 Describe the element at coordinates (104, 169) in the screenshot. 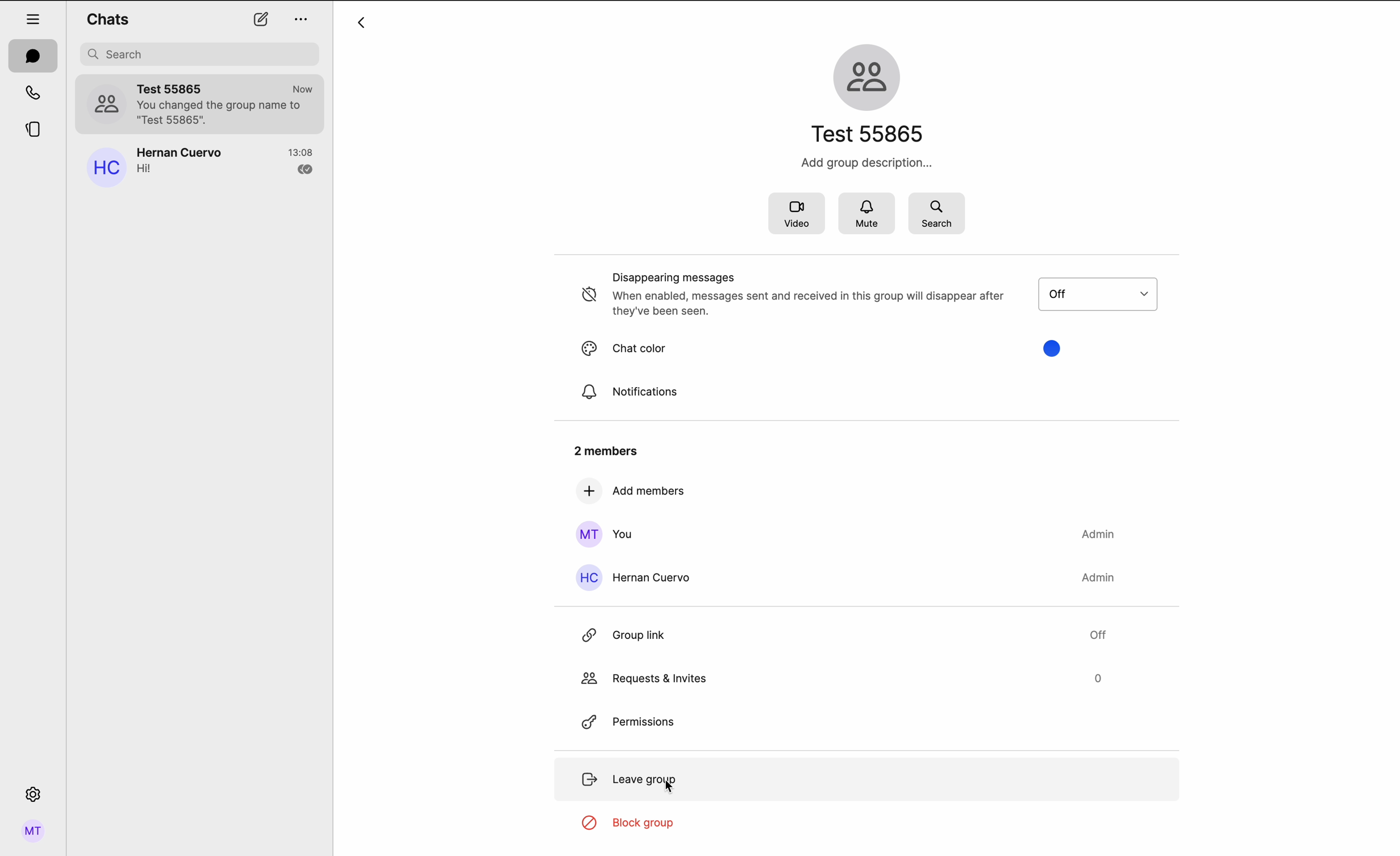

I see `profile picture` at that location.